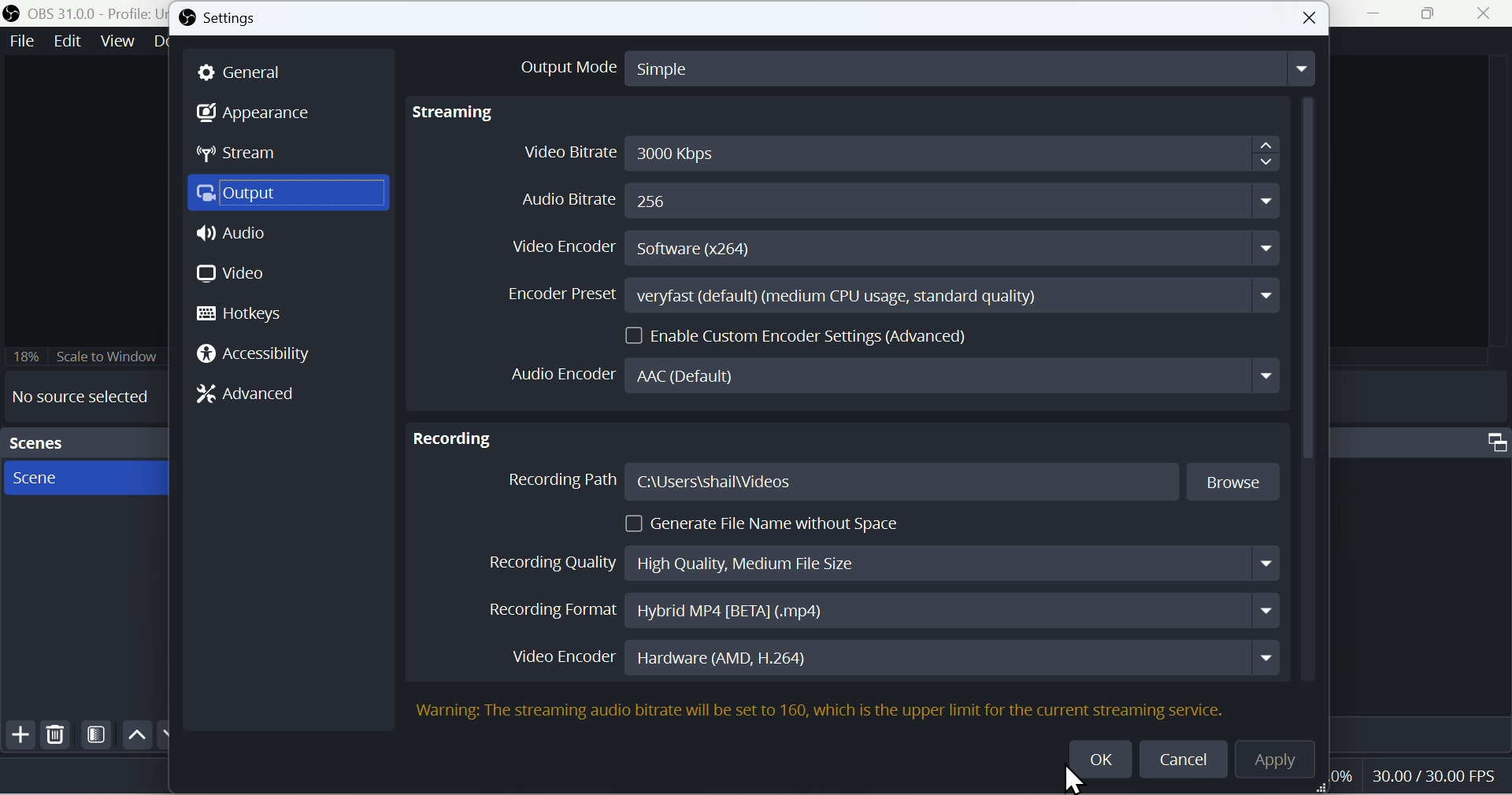  Describe the element at coordinates (250, 72) in the screenshot. I see `General` at that location.